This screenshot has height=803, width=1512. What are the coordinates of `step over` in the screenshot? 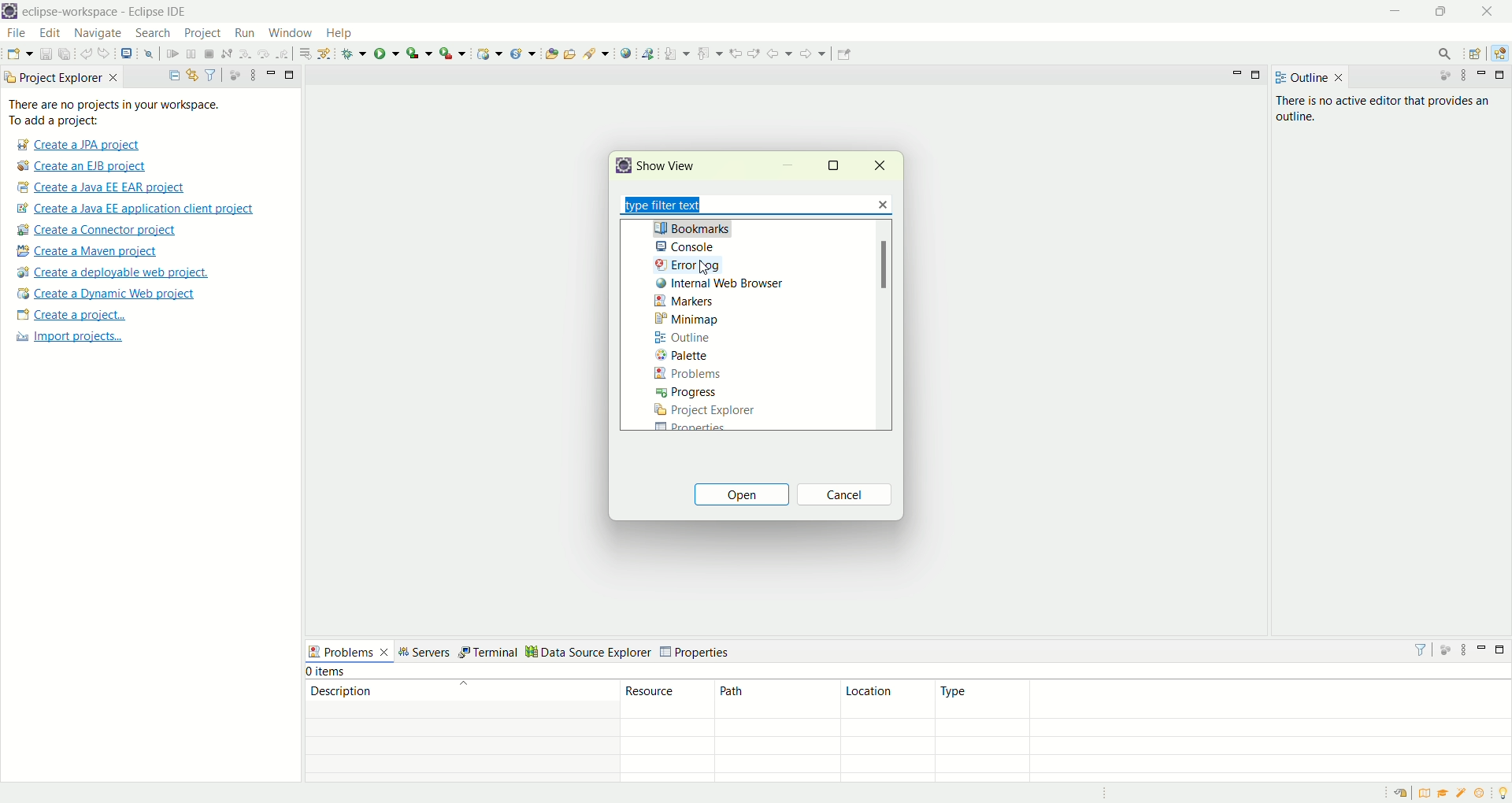 It's located at (261, 54).